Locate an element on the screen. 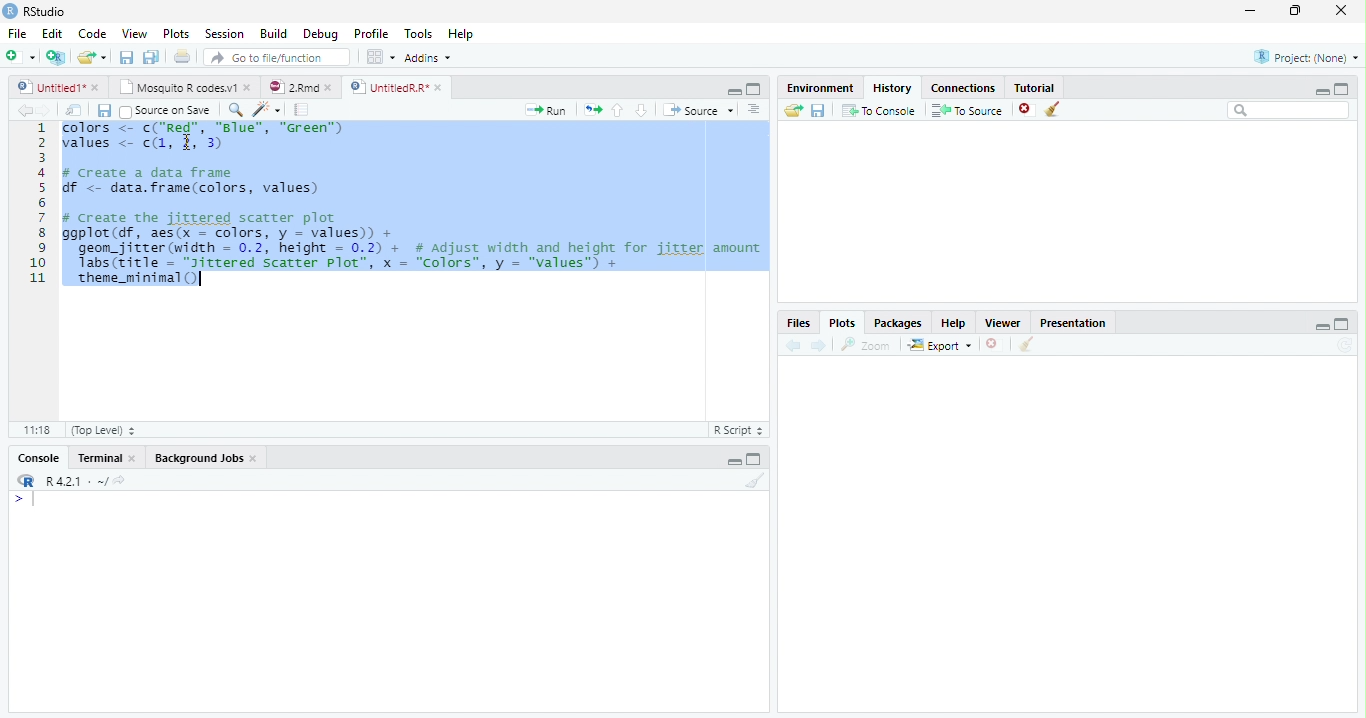 This screenshot has height=718, width=1366. Export is located at coordinates (941, 344).